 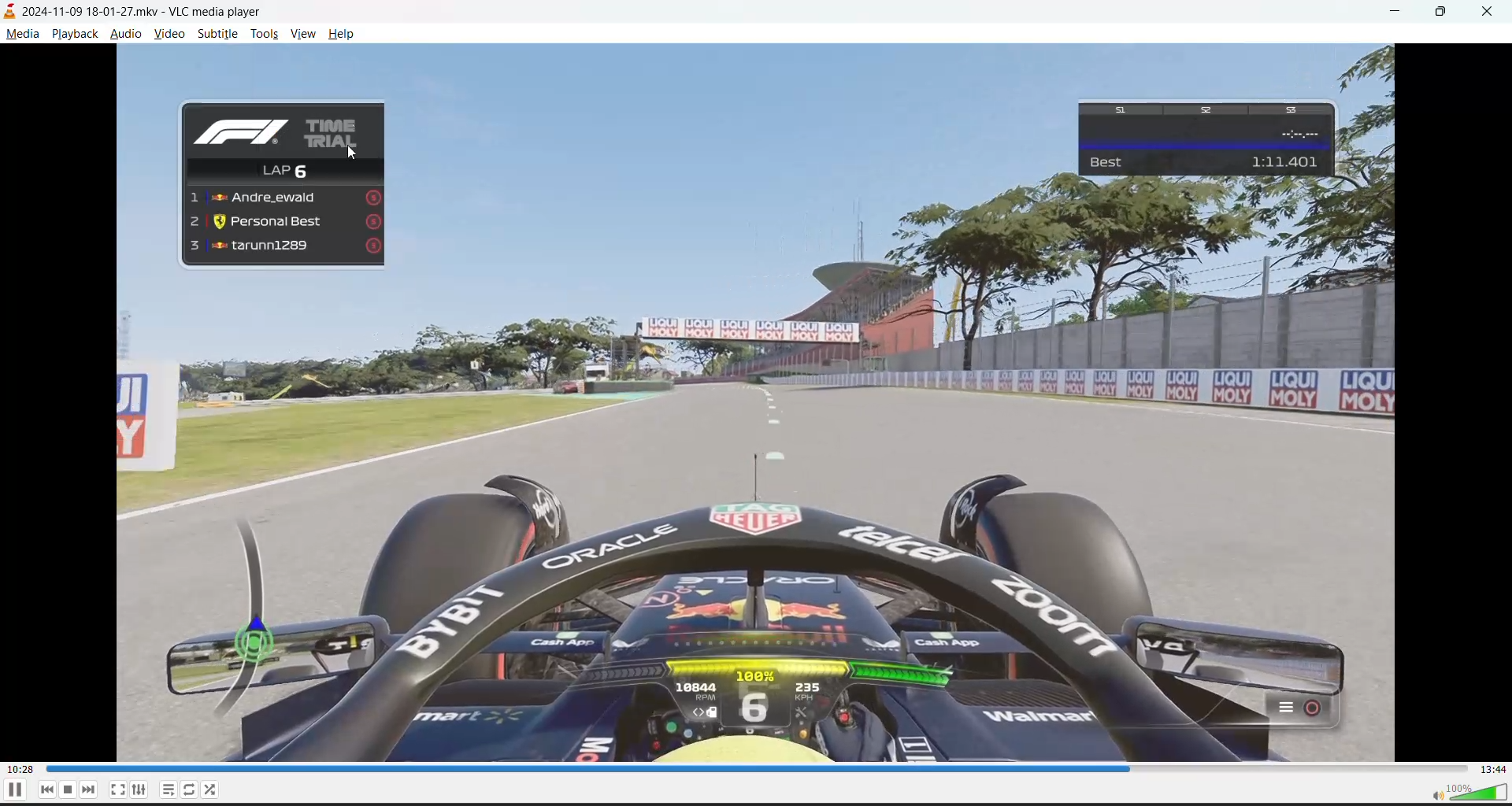 I want to click on random, so click(x=215, y=791).